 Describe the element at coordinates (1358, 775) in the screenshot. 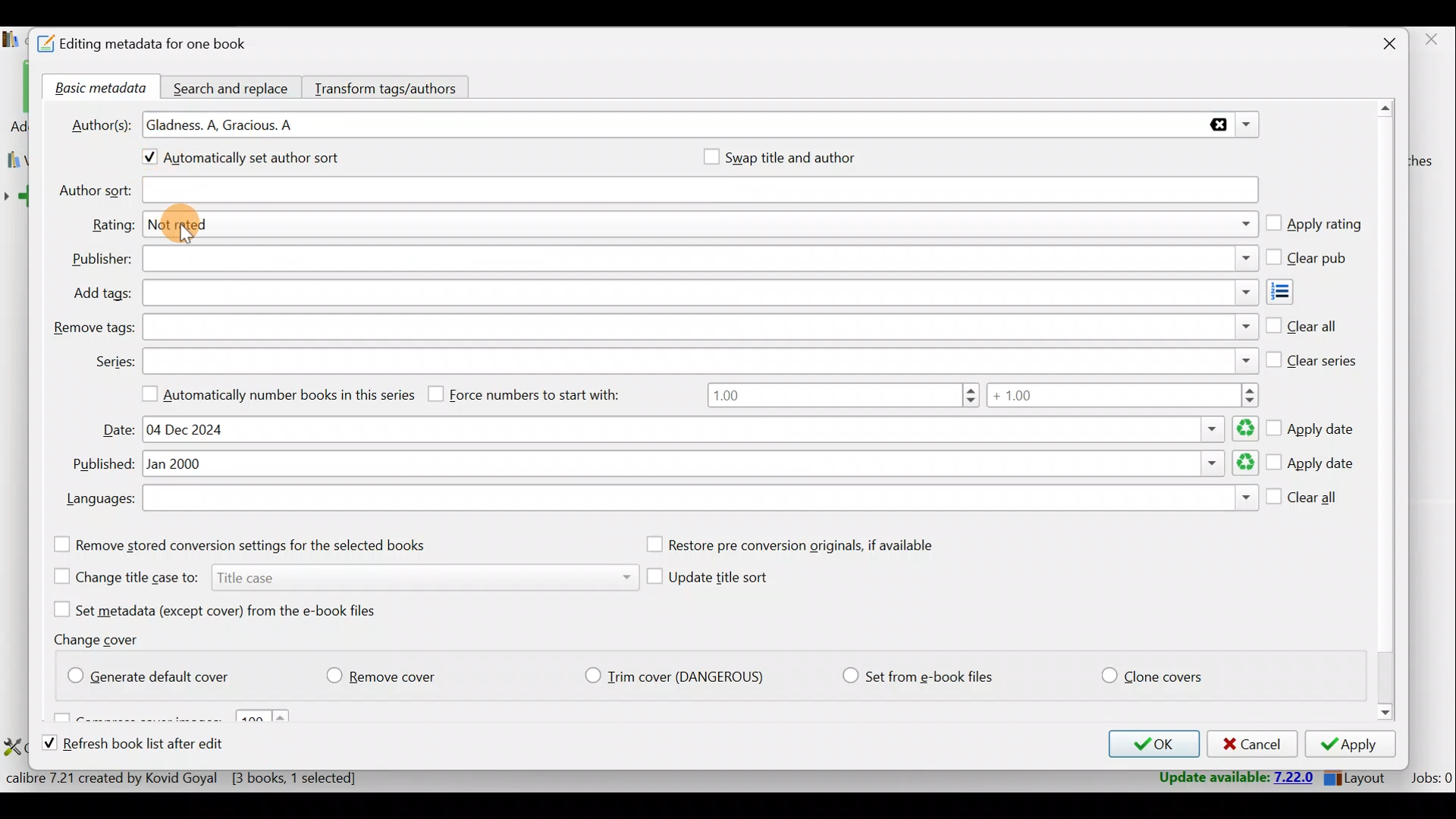

I see `Layout` at that location.